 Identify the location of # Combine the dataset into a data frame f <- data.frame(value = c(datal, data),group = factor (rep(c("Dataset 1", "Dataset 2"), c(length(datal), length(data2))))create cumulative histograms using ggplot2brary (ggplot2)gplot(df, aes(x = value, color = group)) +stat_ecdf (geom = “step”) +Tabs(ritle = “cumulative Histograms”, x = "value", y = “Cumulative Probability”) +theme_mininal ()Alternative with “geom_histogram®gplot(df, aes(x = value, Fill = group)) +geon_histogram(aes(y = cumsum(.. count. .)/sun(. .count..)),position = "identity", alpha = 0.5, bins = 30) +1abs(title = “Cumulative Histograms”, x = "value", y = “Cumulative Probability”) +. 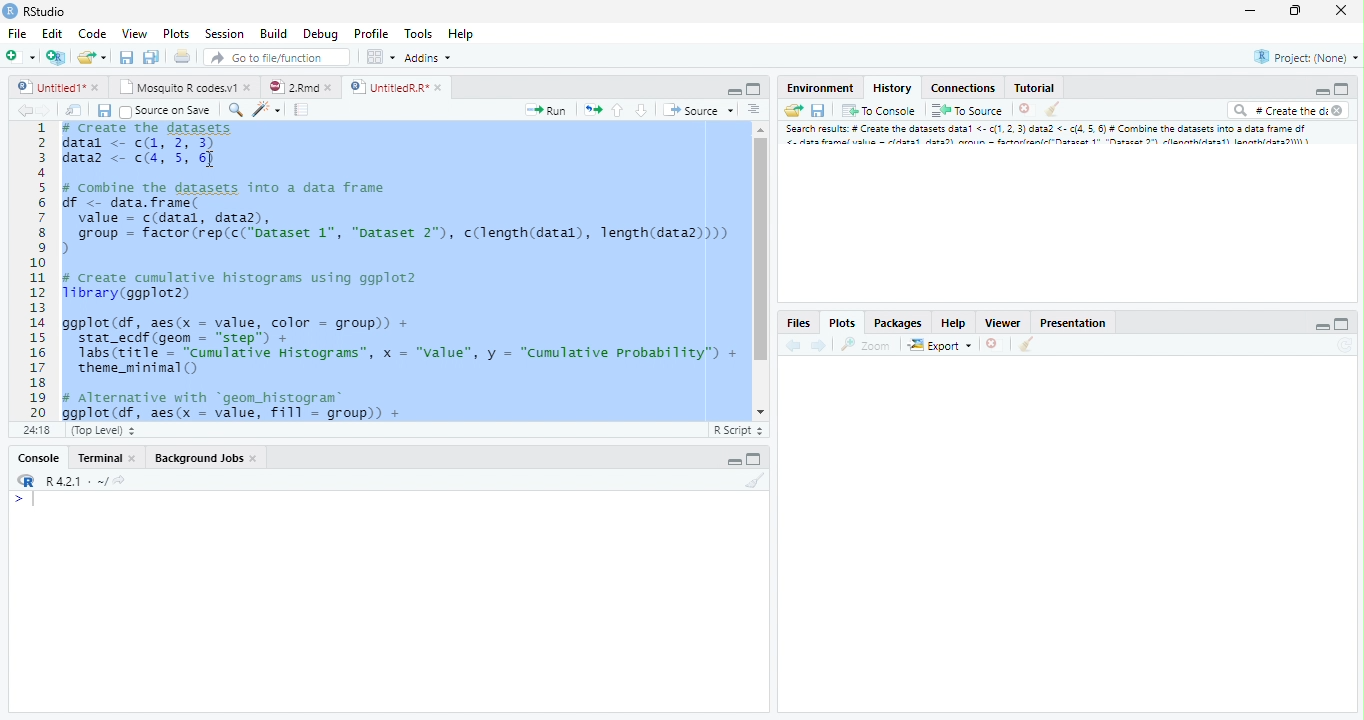
(402, 271).